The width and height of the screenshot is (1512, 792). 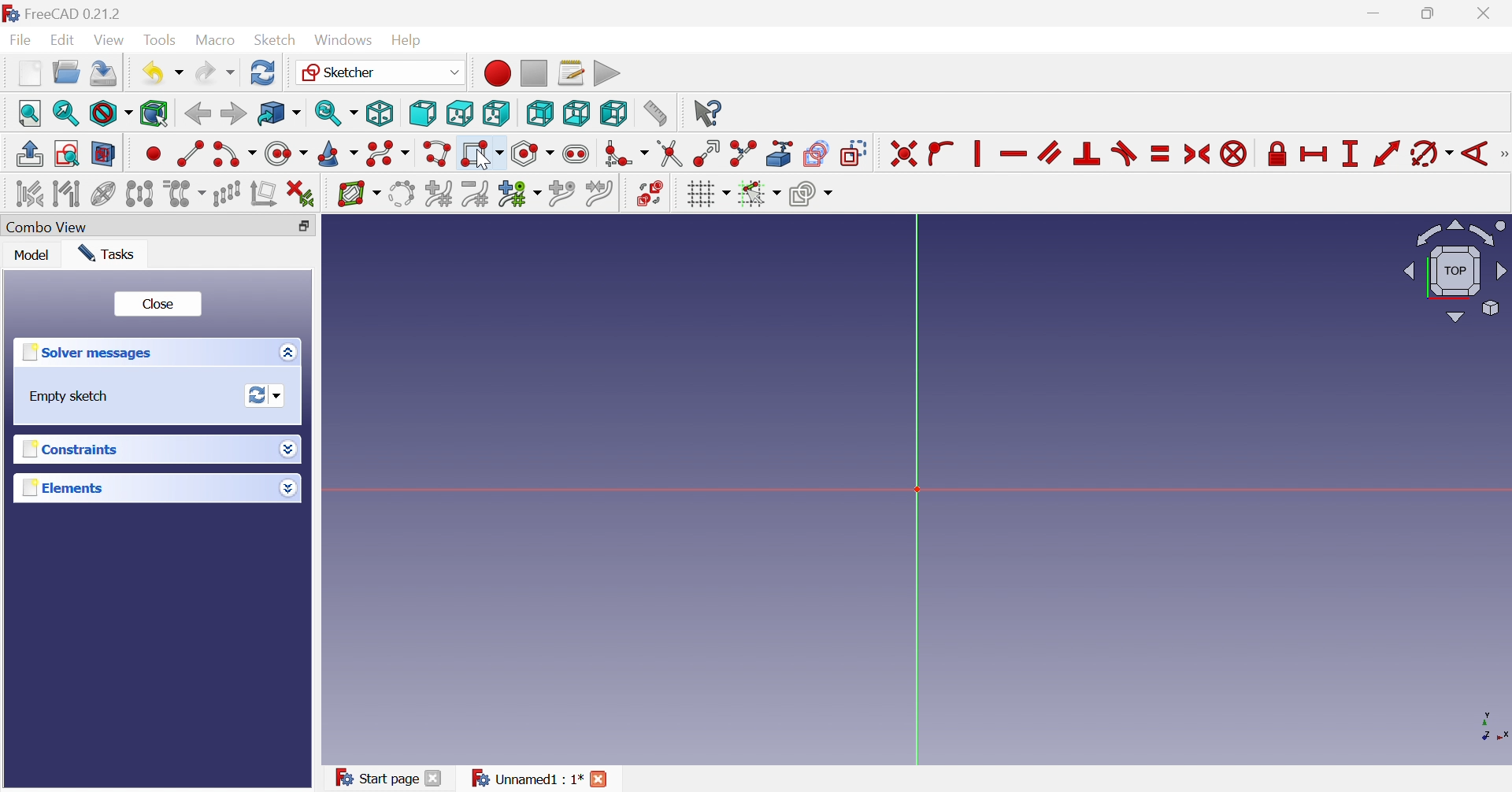 What do you see at coordinates (475, 194) in the screenshot?
I see `Decrease B-spline degree` at bounding box center [475, 194].